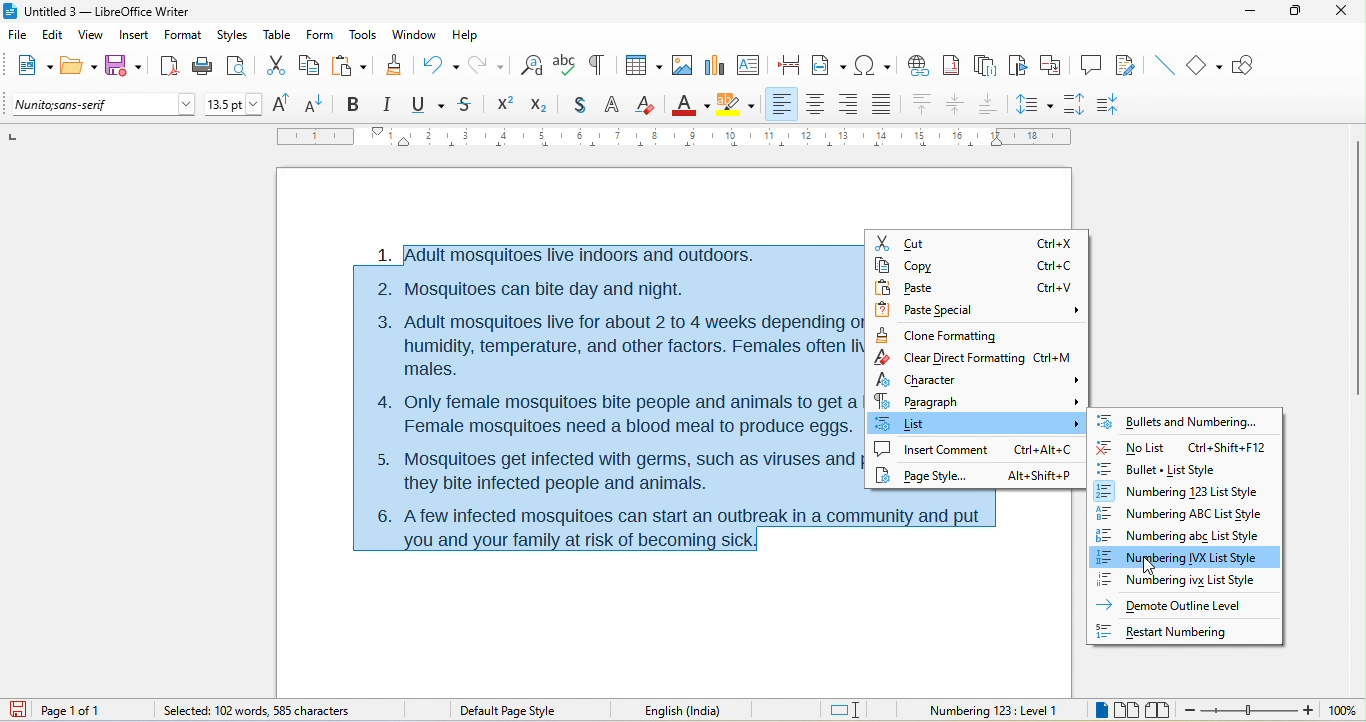 Image resolution: width=1366 pixels, height=722 pixels. What do you see at coordinates (29, 68) in the screenshot?
I see `new` at bounding box center [29, 68].